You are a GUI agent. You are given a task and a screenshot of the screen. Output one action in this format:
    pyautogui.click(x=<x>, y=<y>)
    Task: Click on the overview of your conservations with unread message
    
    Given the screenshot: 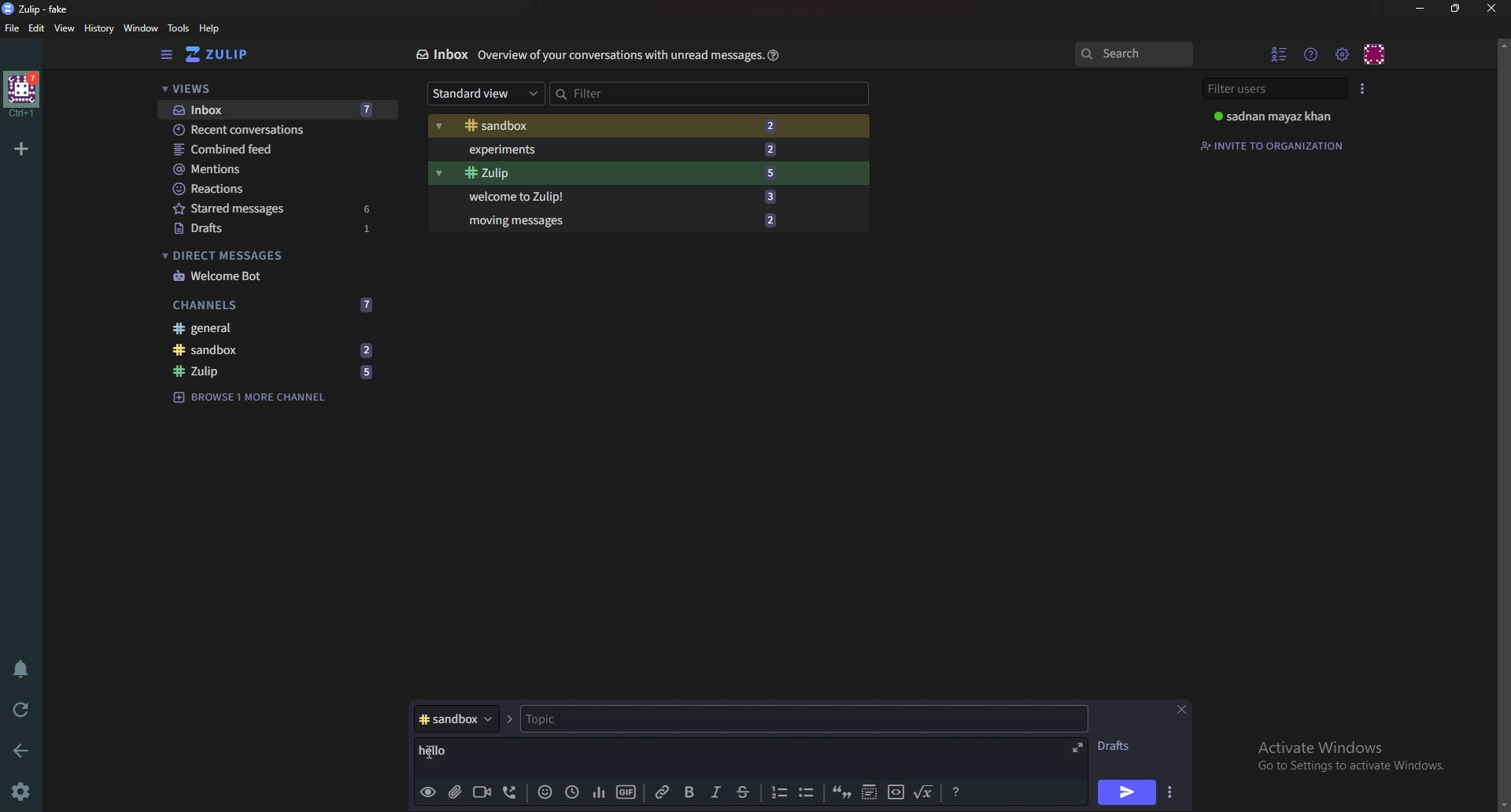 What is the action you would take?
    pyautogui.click(x=619, y=57)
    